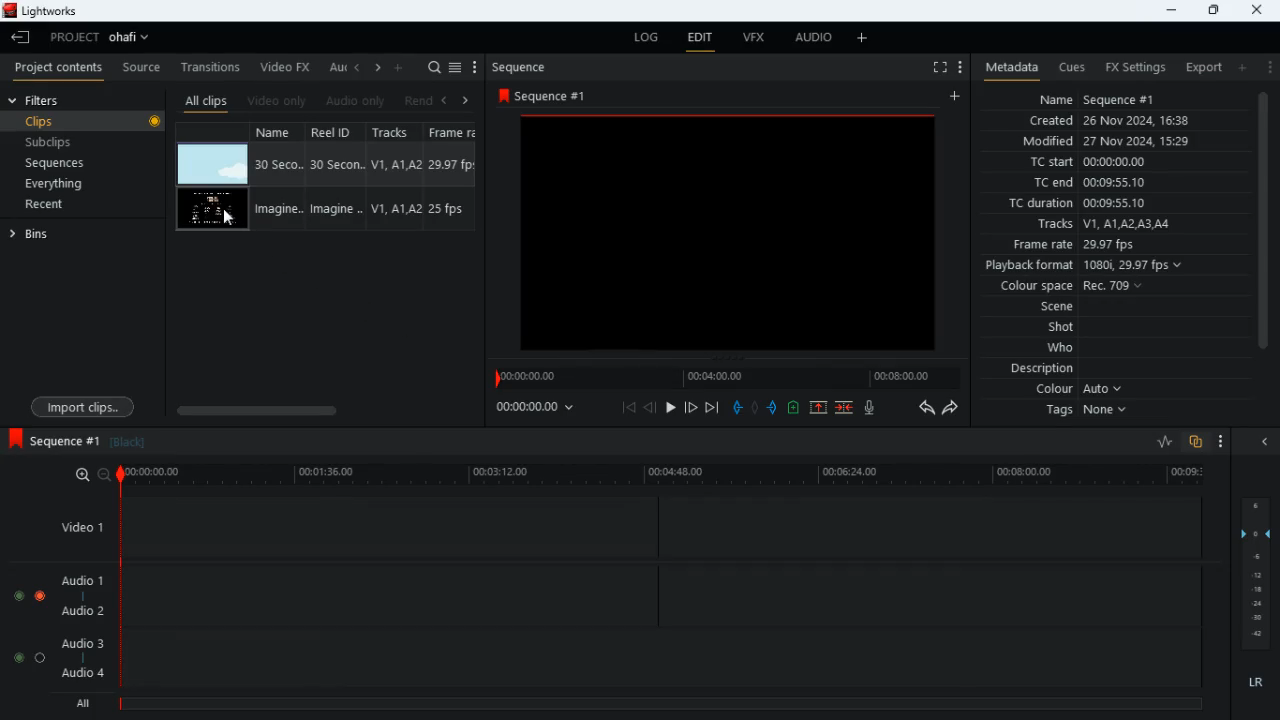 Image resolution: width=1280 pixels, height=720 pixels. What do you see at coordinates (1091, 411) in the screenshot?
I see `tags` at bounding box center [1091, 411].